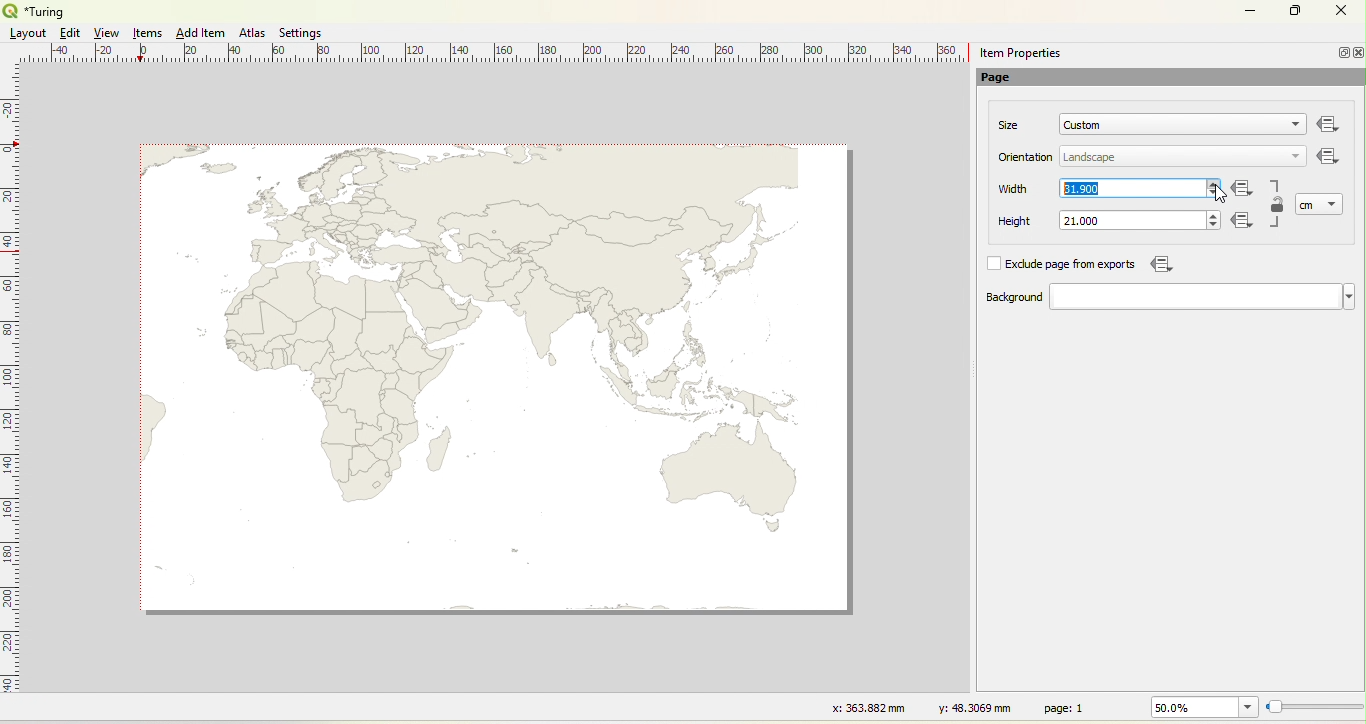  What do you see at coordinates (1278, 206) in the screenshot?
I see `Lock/Unlock` at bounding box center [1278, 206].